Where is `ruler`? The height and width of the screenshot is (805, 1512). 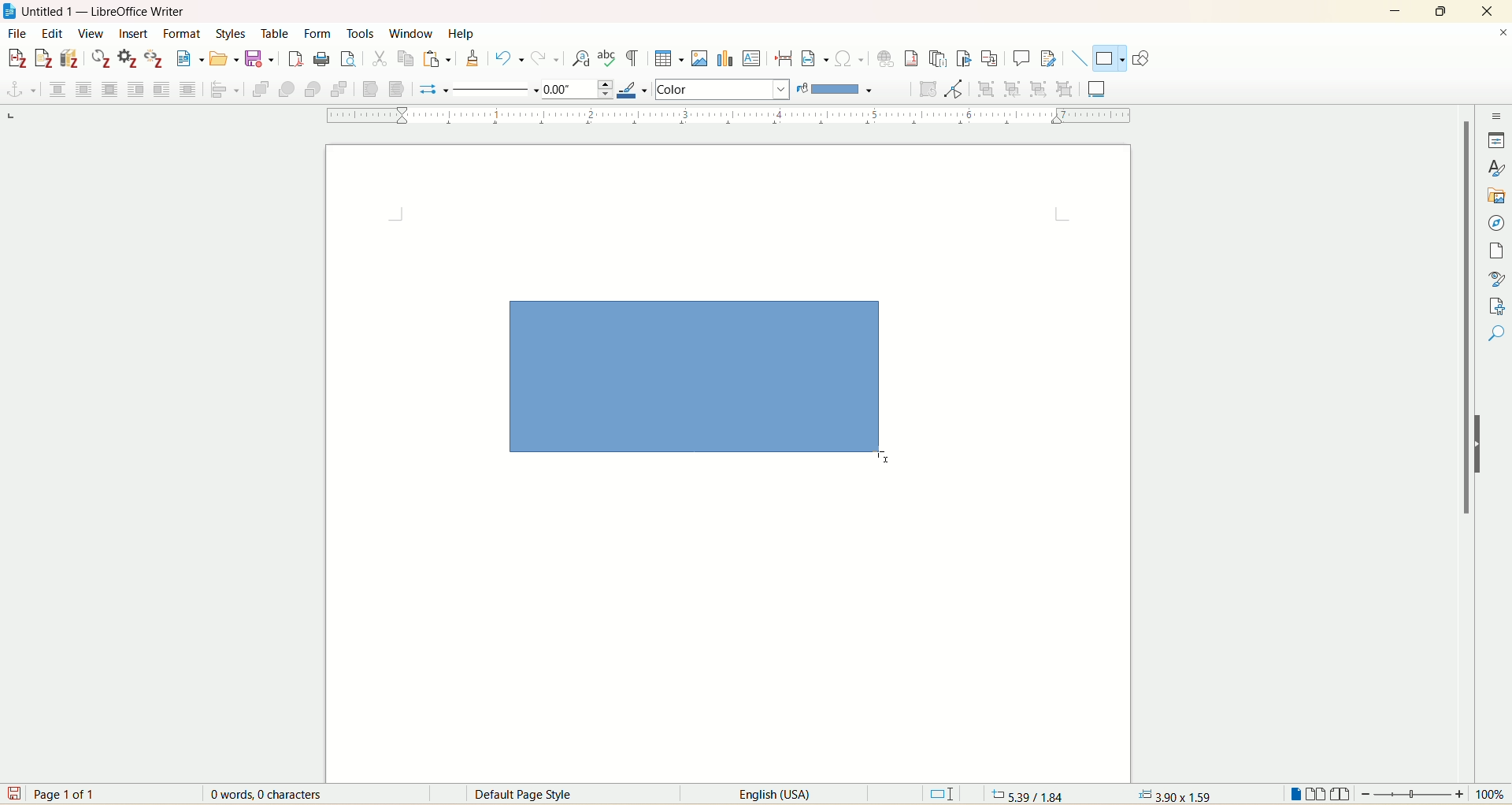
ruler is located at coordinates (721, 116).